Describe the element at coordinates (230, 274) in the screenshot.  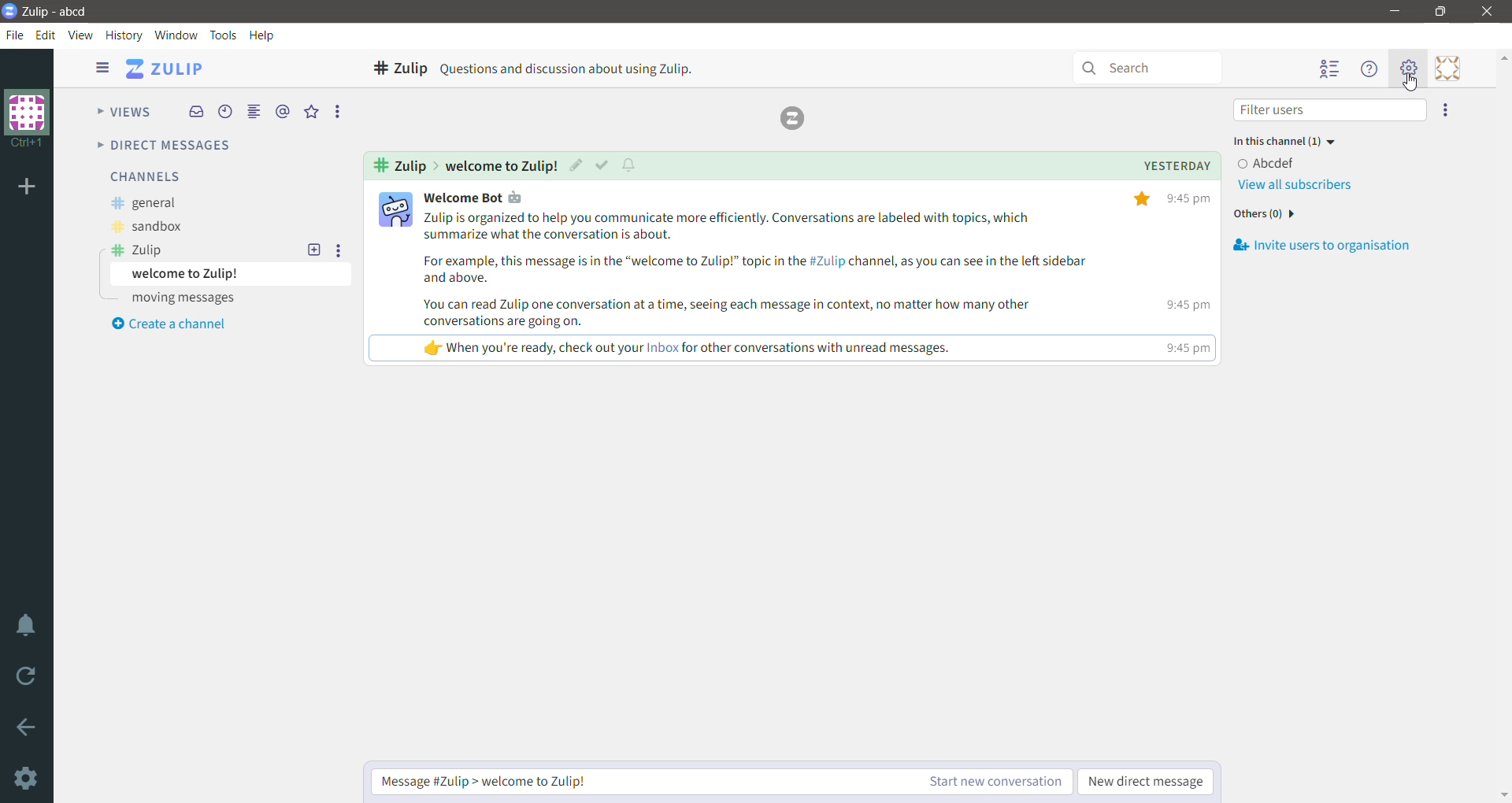
I see `welcome to Zulip` at that location.